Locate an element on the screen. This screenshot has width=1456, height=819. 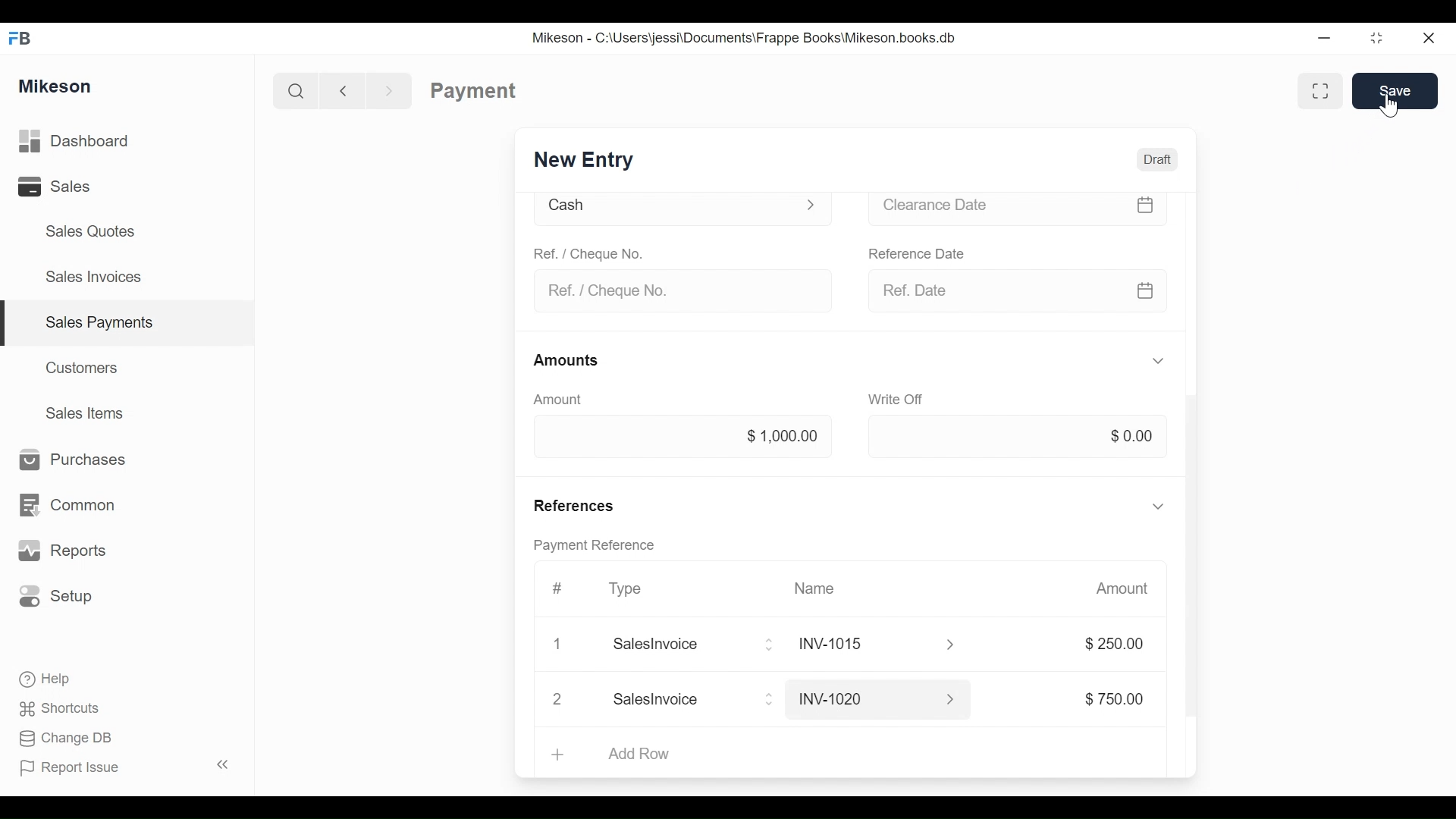
Payment reference is located at coordinates (598, 547).